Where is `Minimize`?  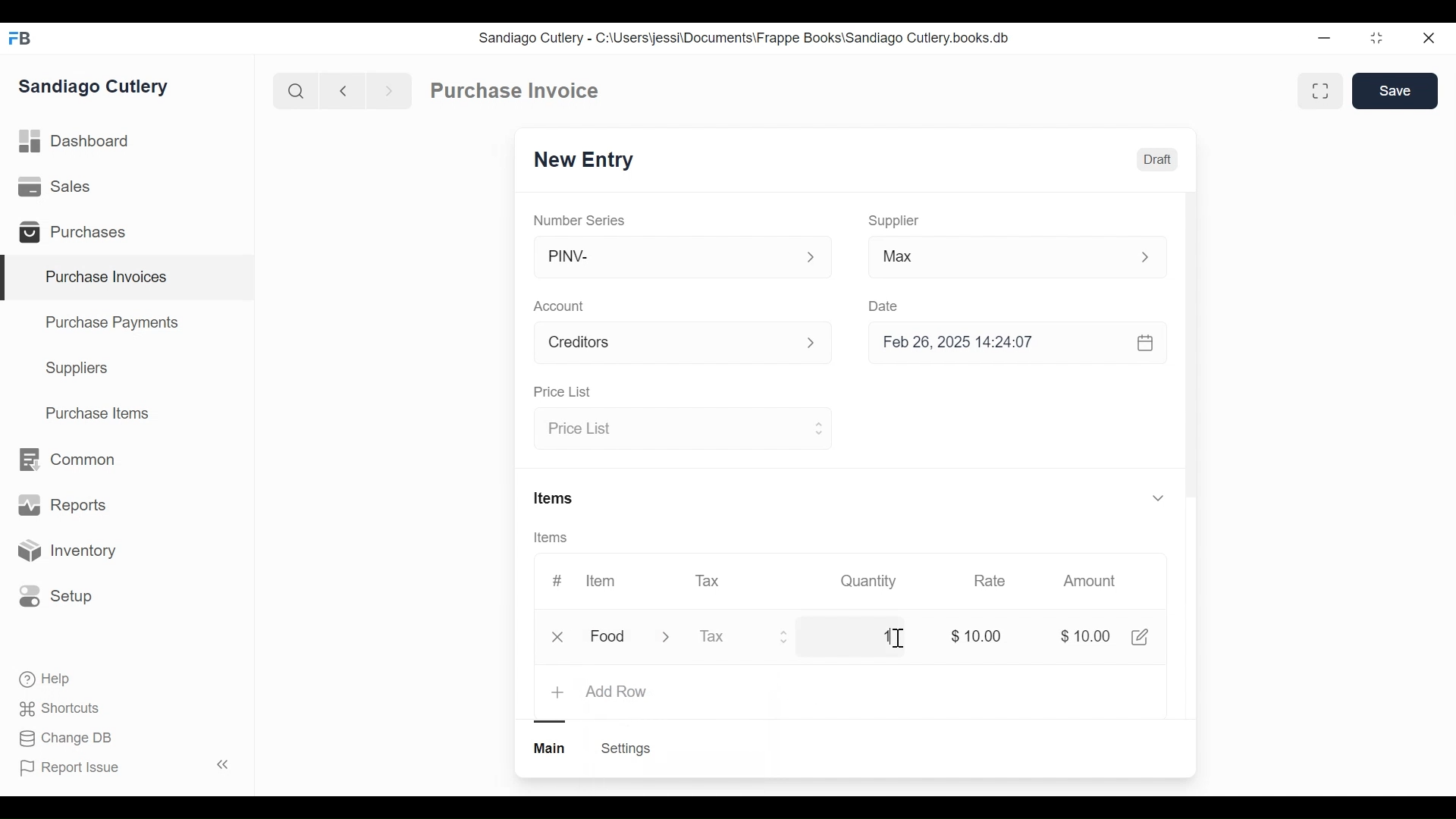
Minimize is located at coordinates (1321, 39).